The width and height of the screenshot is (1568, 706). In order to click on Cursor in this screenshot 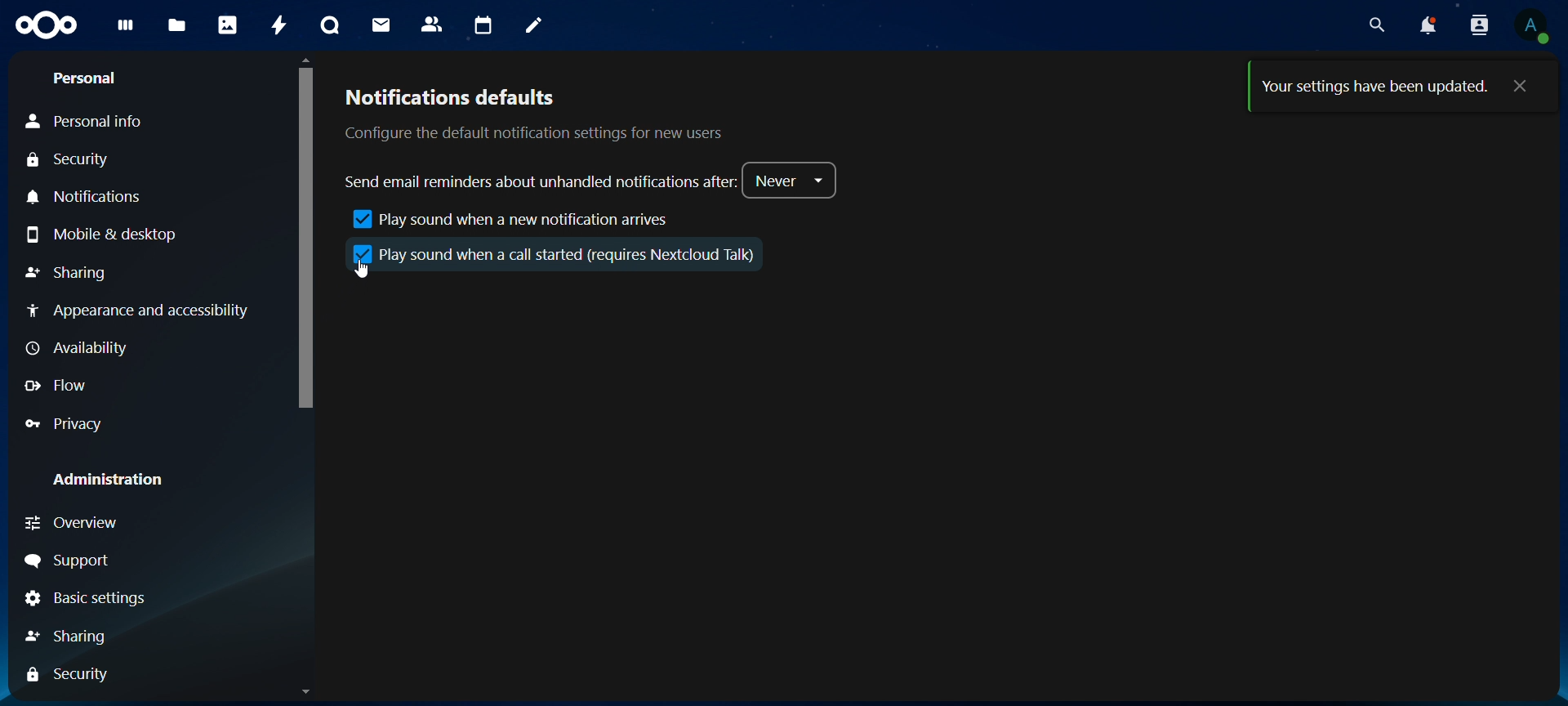, I will do `click(363, 270)`.